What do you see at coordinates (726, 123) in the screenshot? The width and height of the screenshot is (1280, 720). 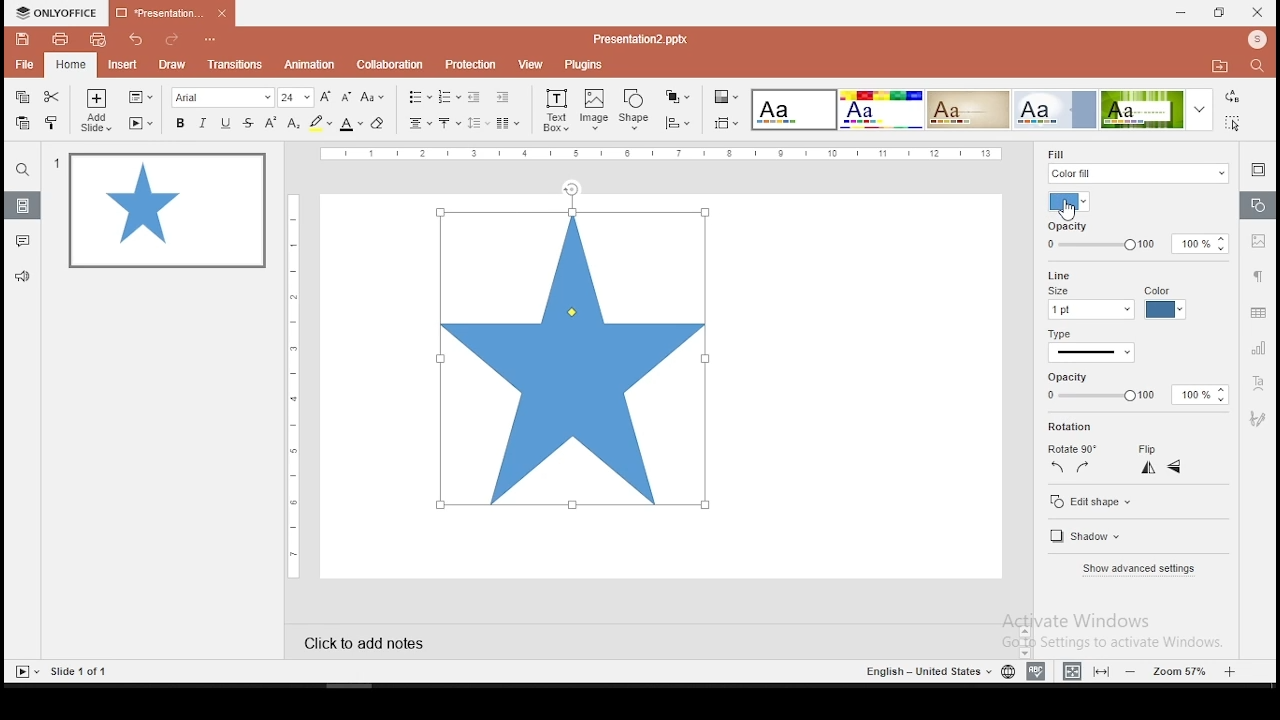 I see `select slide size` at bounding box center [726, 123].